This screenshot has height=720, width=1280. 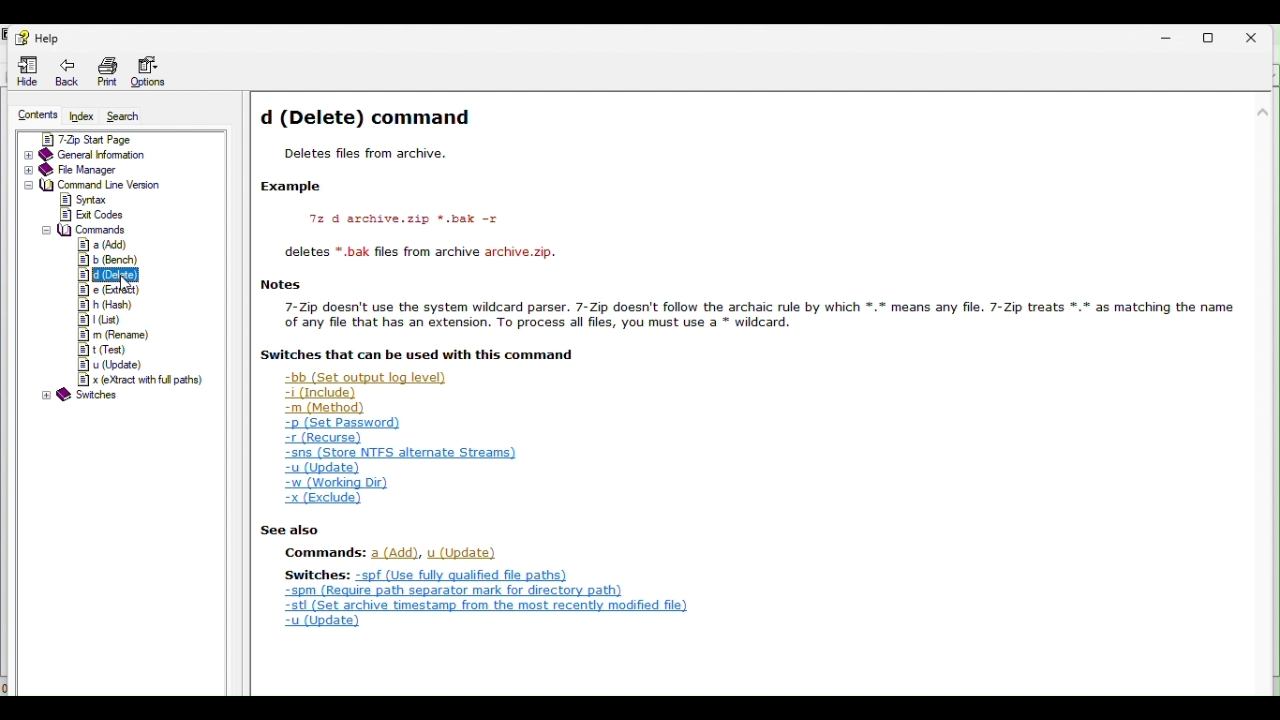 What do you see at coordinates (24, 69) in the screenshot?
I see `Hide` at bounding box center [24, 69].